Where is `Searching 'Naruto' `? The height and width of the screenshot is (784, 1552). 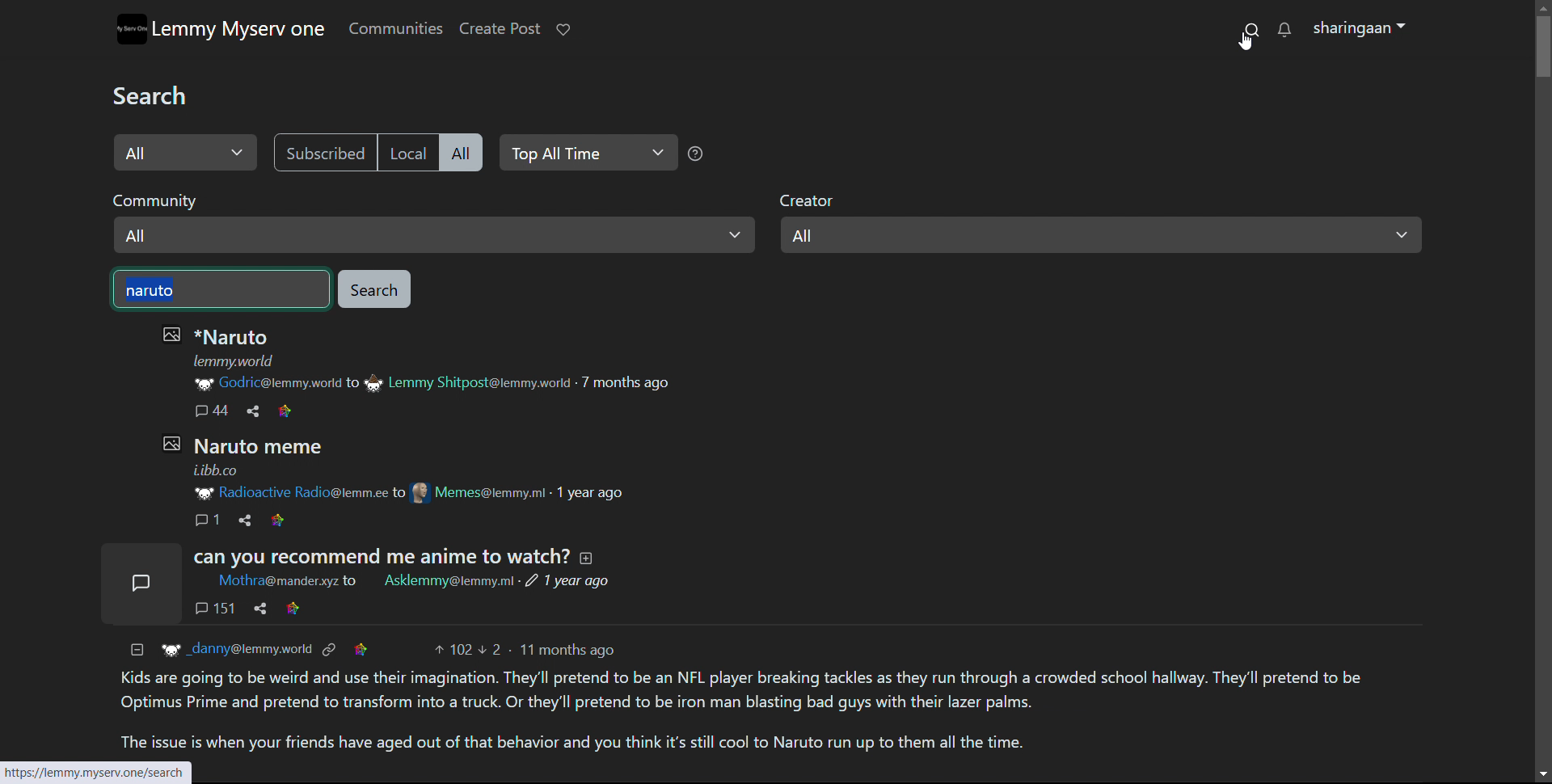 Searching 'Naruto'  is located at coordinates (221, 289).